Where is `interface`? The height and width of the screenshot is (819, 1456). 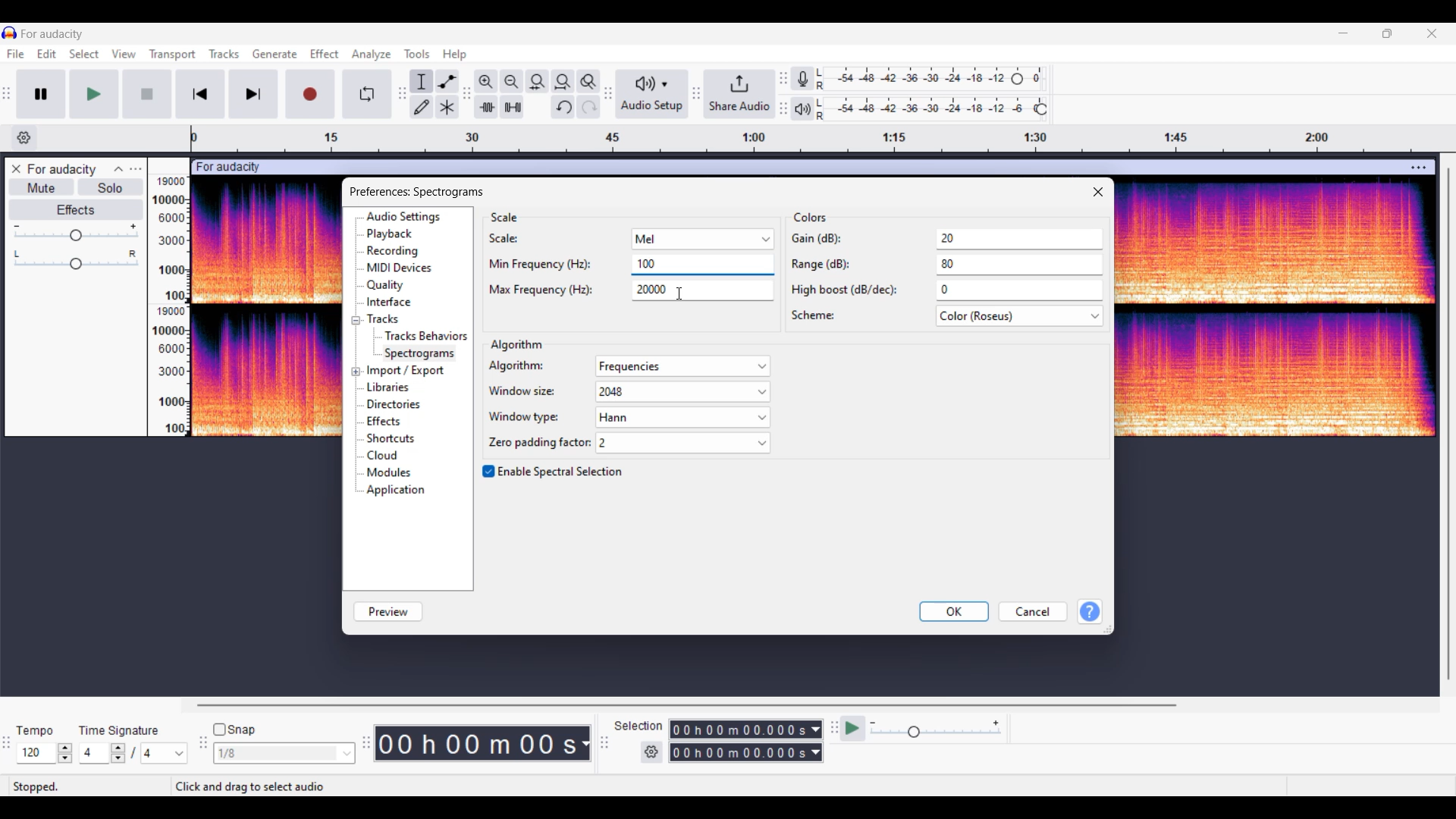
interface is located at coordinates (394, 303).